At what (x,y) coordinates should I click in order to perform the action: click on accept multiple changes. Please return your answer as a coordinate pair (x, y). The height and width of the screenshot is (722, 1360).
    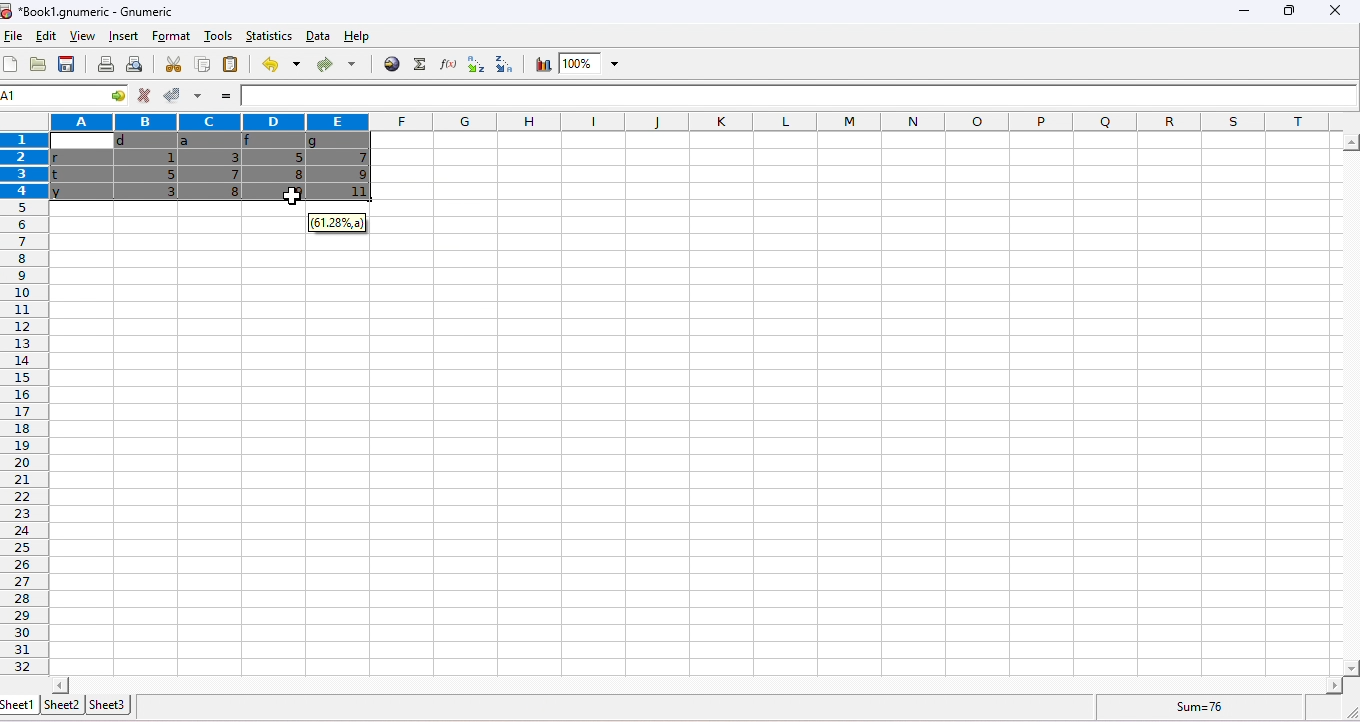
    Looking at the image, I should click on (196, 96).